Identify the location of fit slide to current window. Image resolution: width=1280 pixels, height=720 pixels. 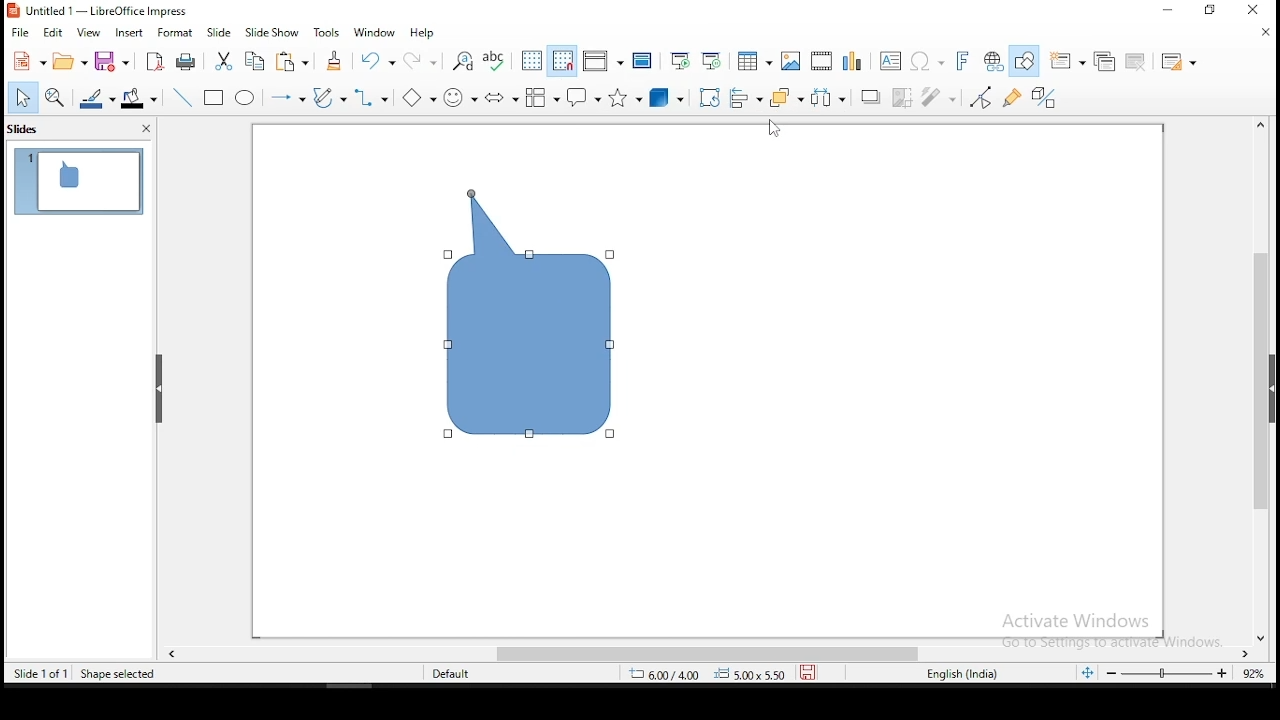
(1087, 673).